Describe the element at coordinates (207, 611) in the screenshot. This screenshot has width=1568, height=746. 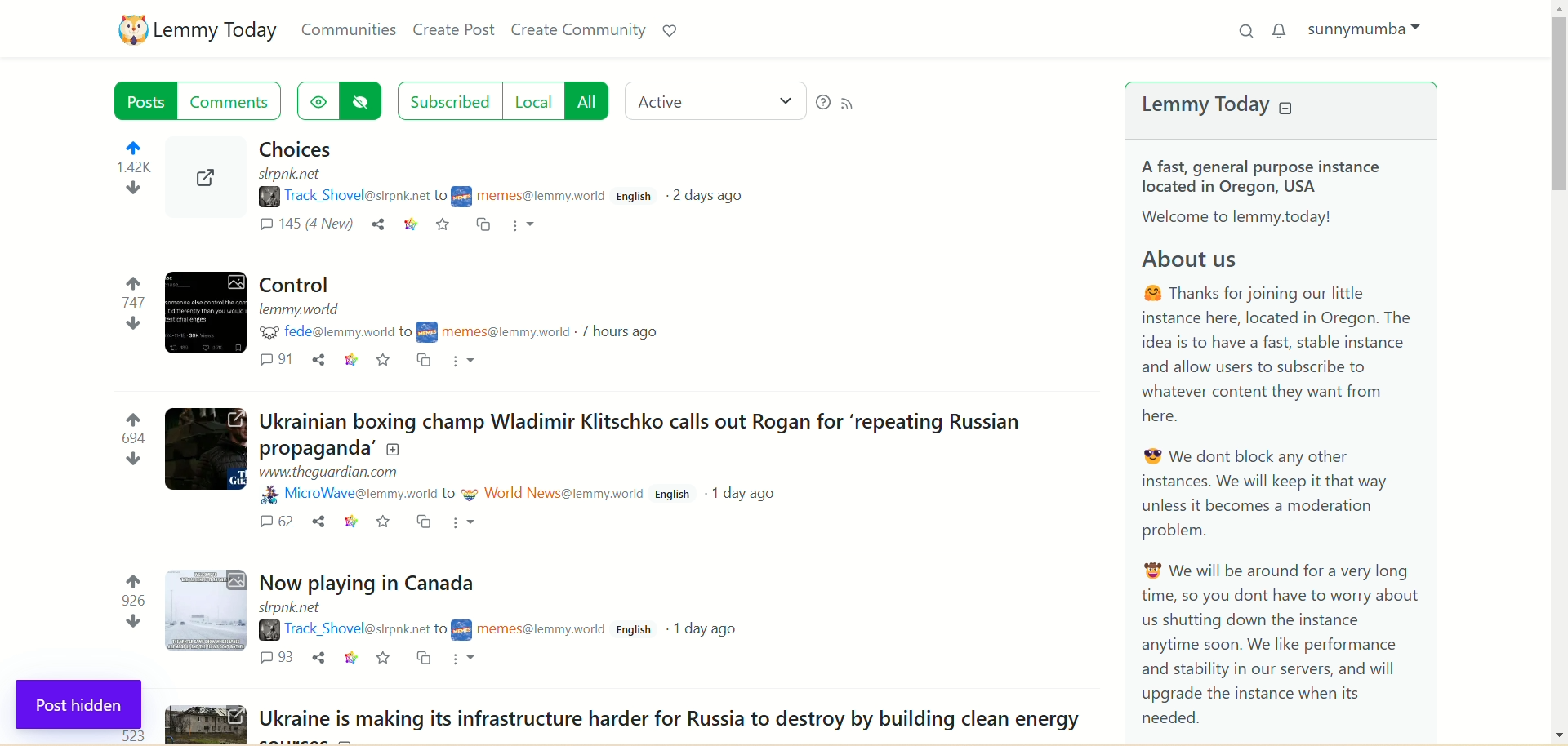
I see `Expand the post with image details` at that location.